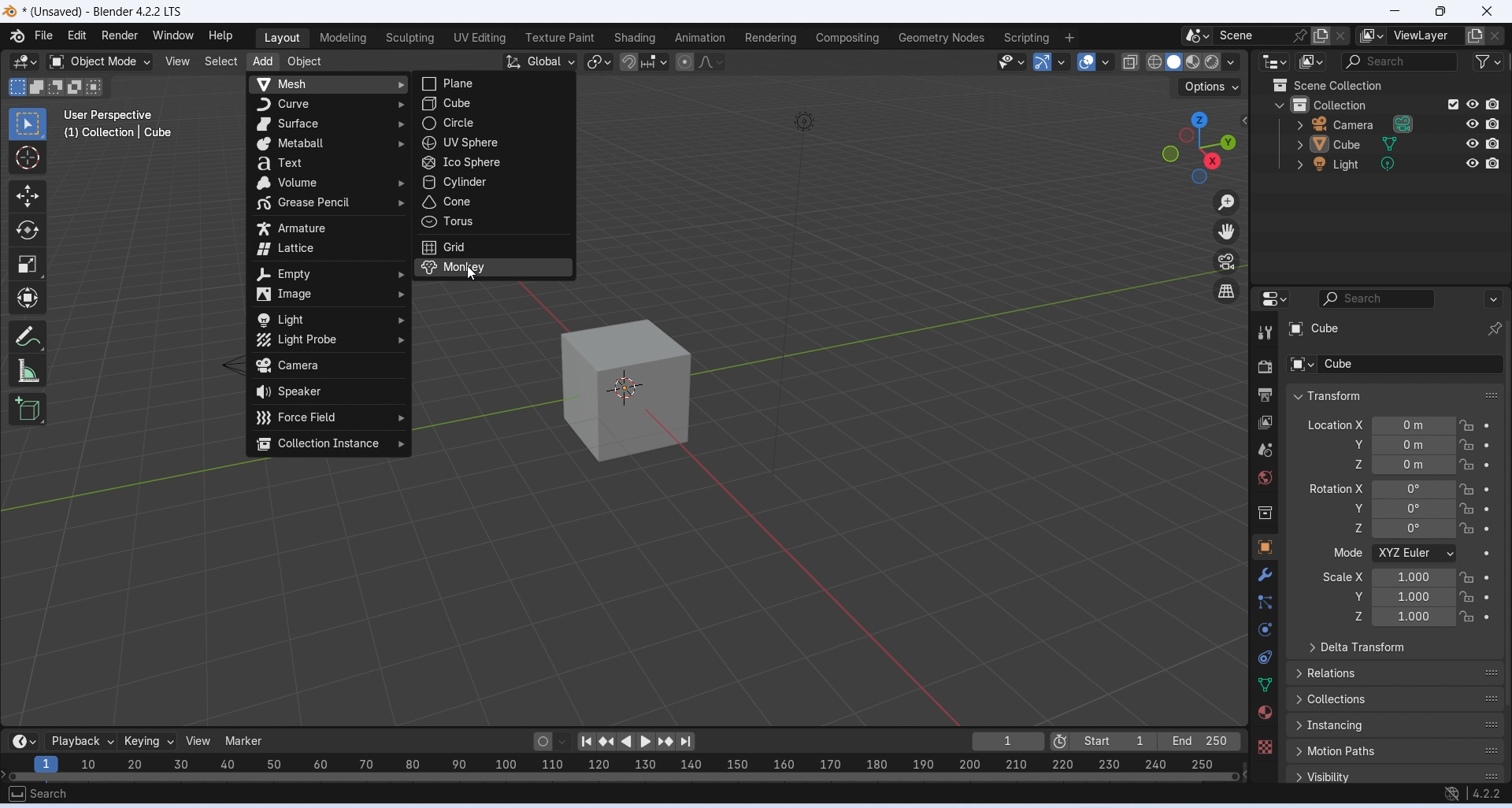 Image resolution: width=1512 pixels, height=808 pixels. Describe the element at coordinates (492, 222) in the screenshot. I see `torus` at that location.